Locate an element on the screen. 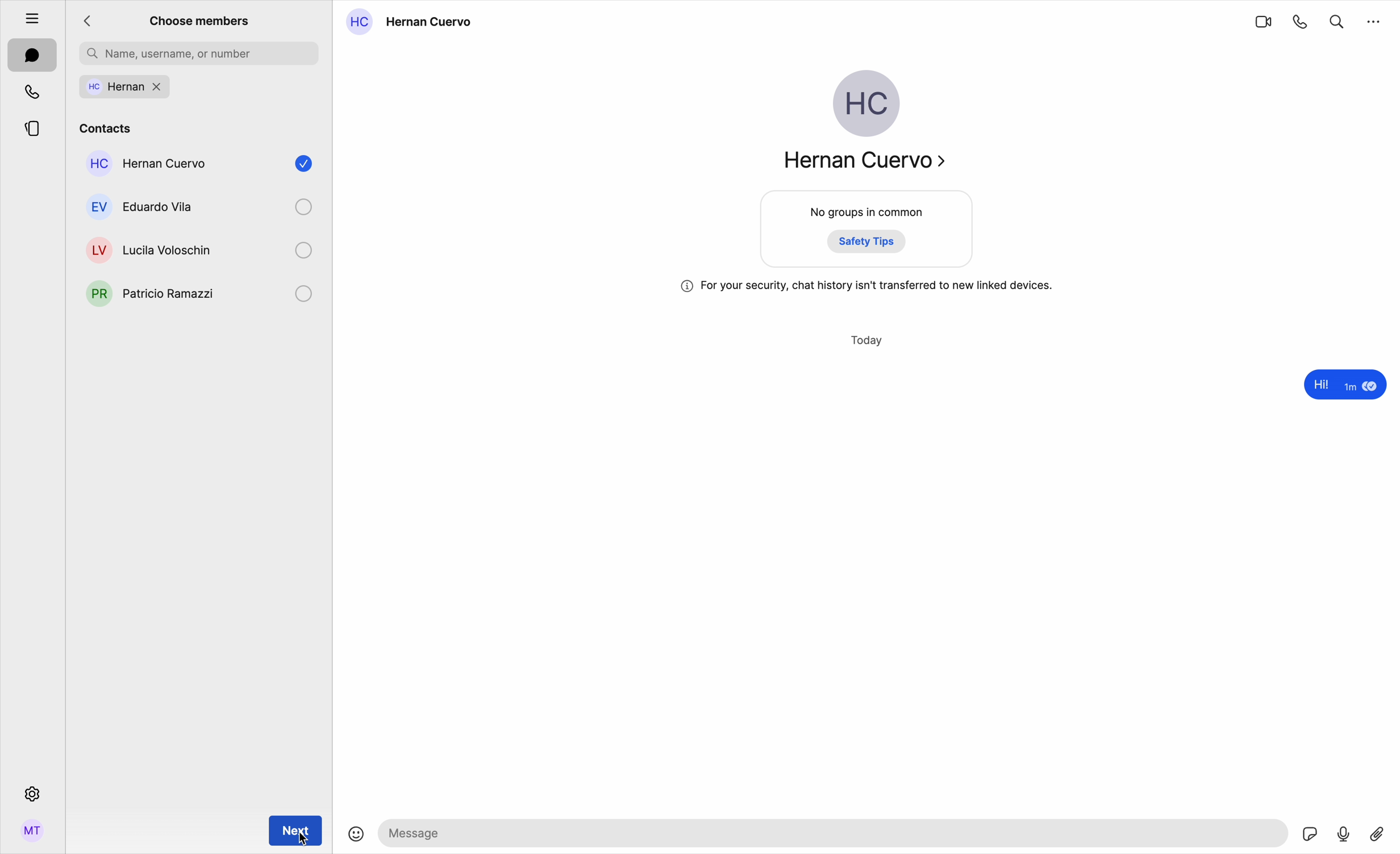 This screenshot has height=854, width=1400. emoji is located at coordinates (356, 835).